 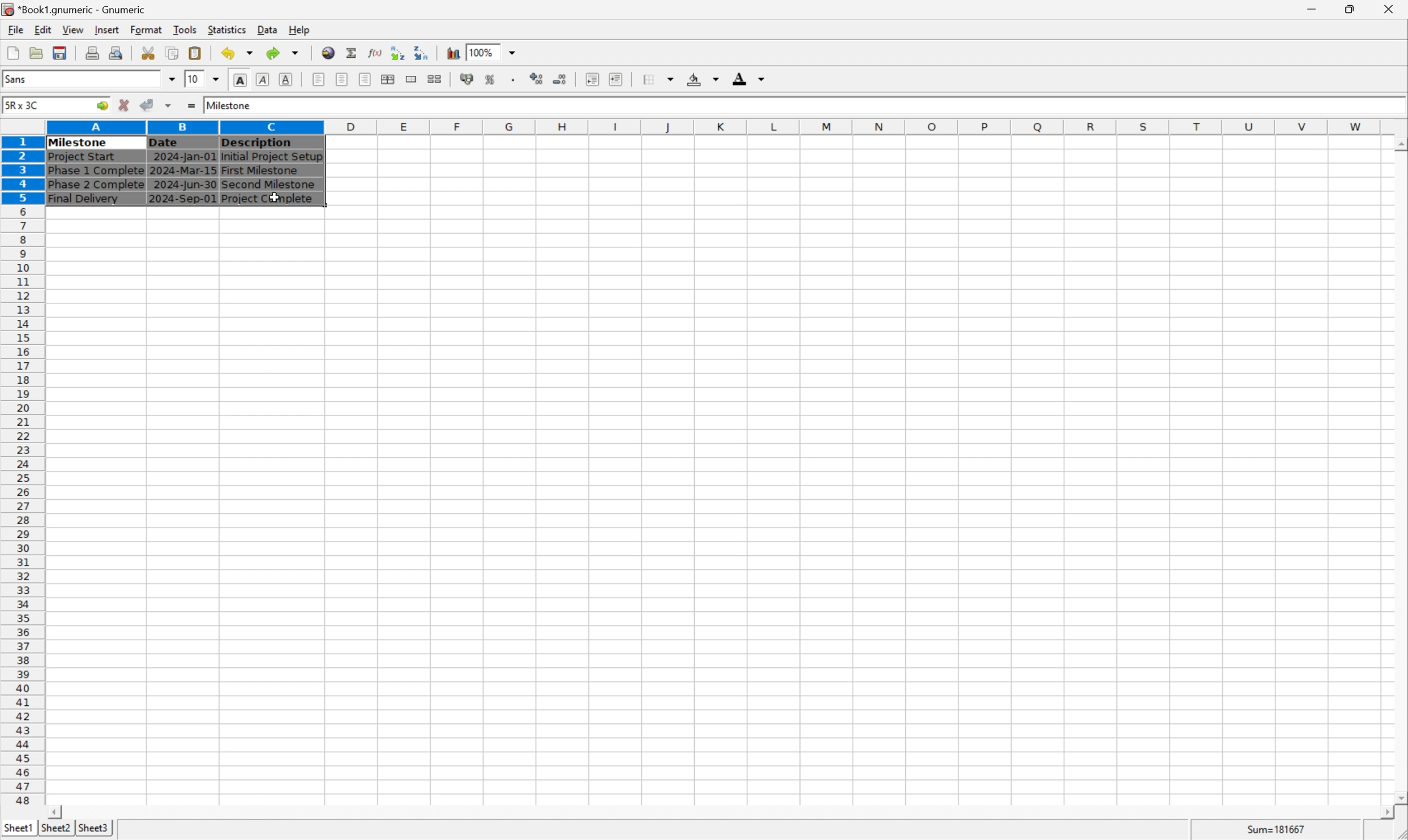 What do you see at coordinates (388, 79) in the screenshot?
I see `center horizontally across selection` at bounding box center [388, 79].